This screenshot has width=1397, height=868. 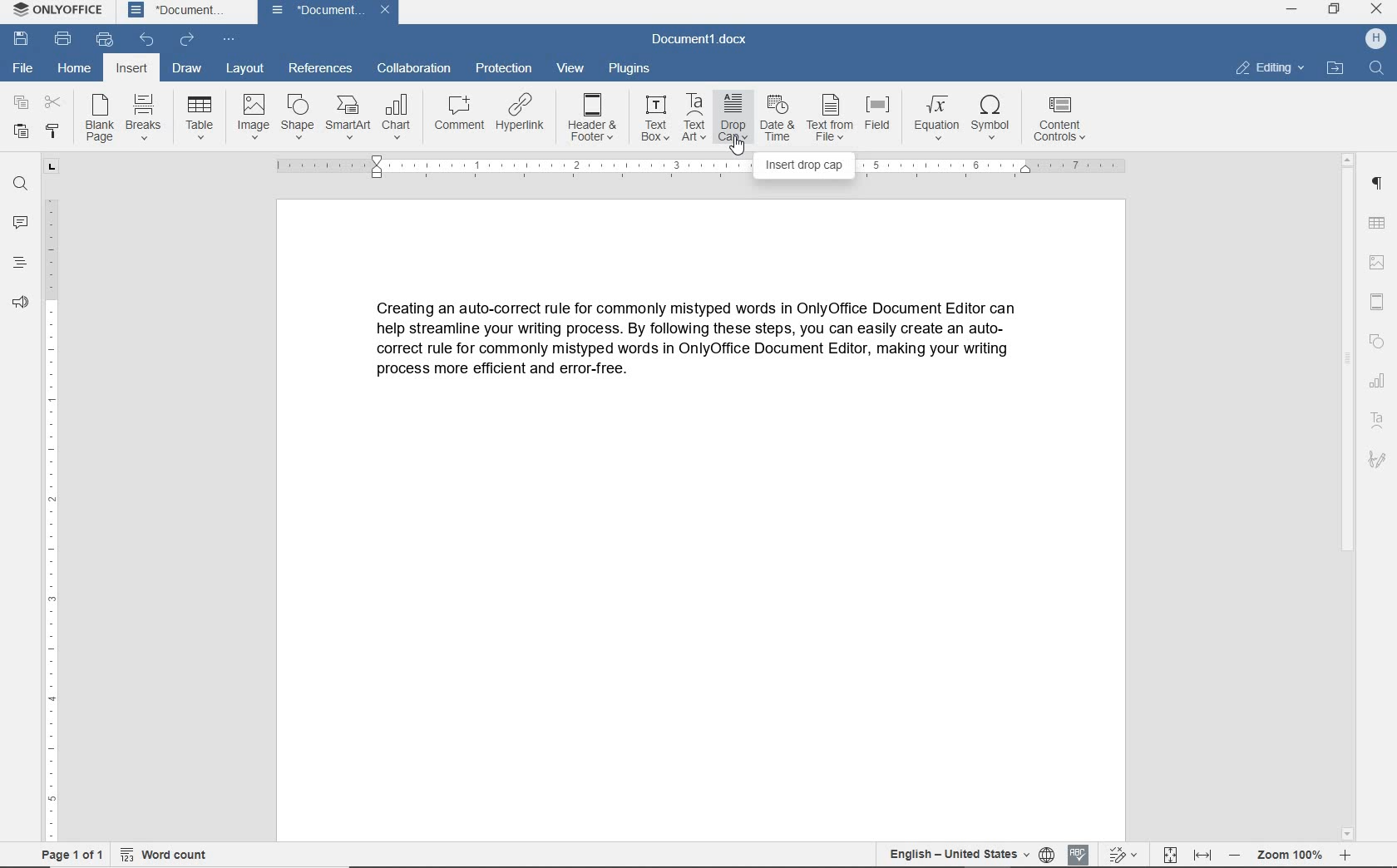 I want to click on document name, so click(x=705, y=40).